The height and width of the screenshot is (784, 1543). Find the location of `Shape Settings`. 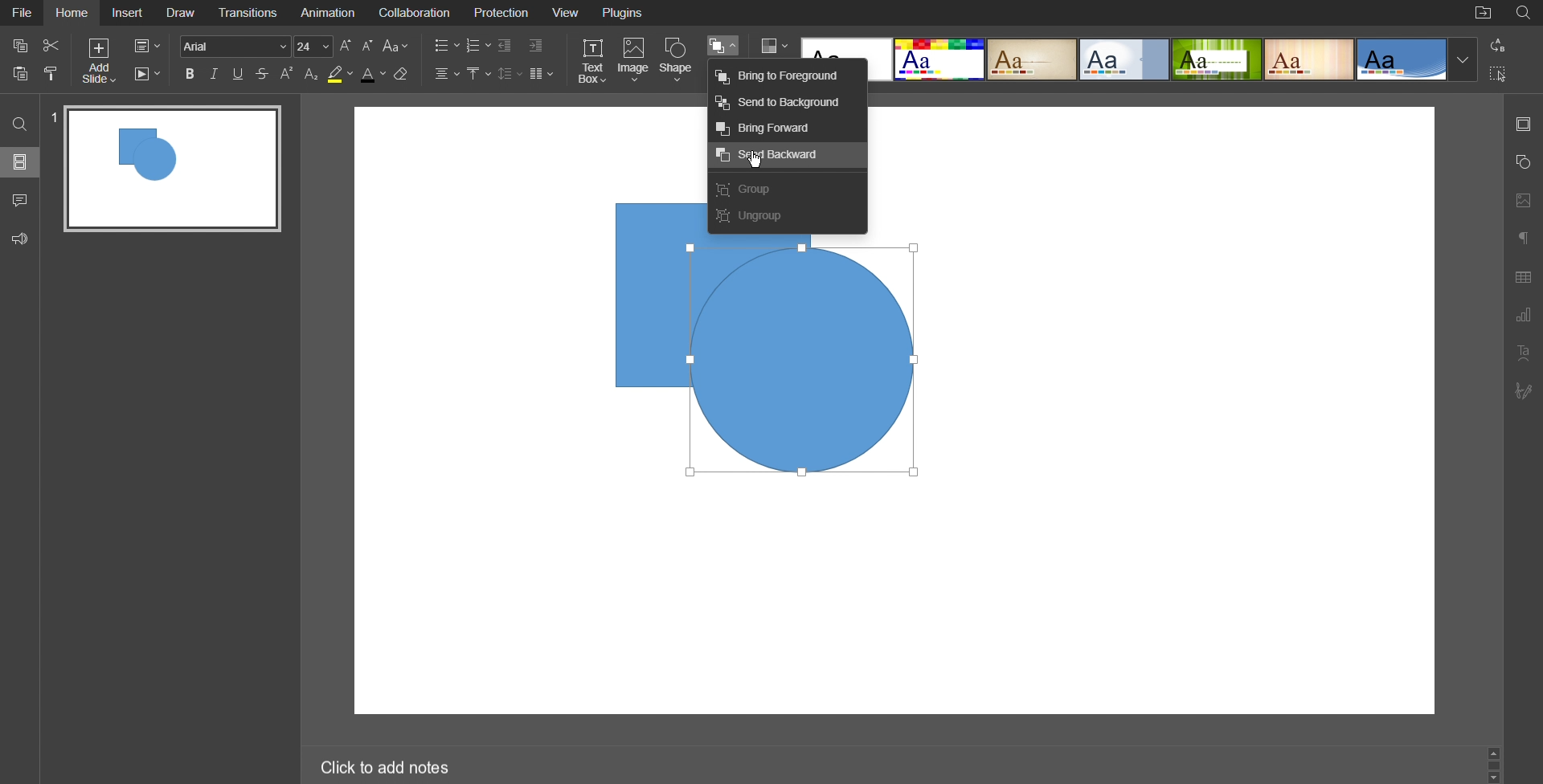

Shape Settings is located at coordinates (1524, 163).